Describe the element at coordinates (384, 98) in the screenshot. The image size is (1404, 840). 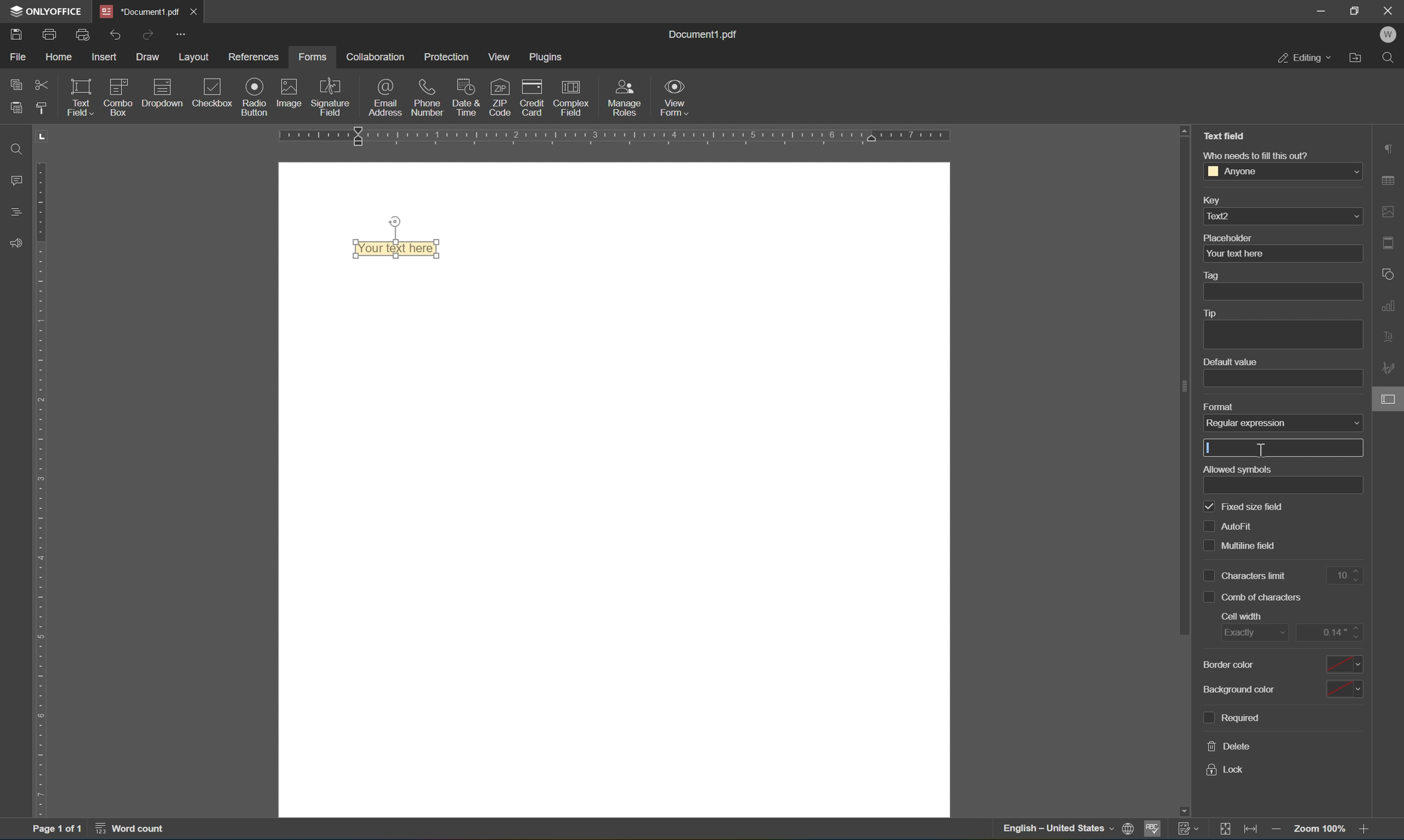
I see `email address` at that location.